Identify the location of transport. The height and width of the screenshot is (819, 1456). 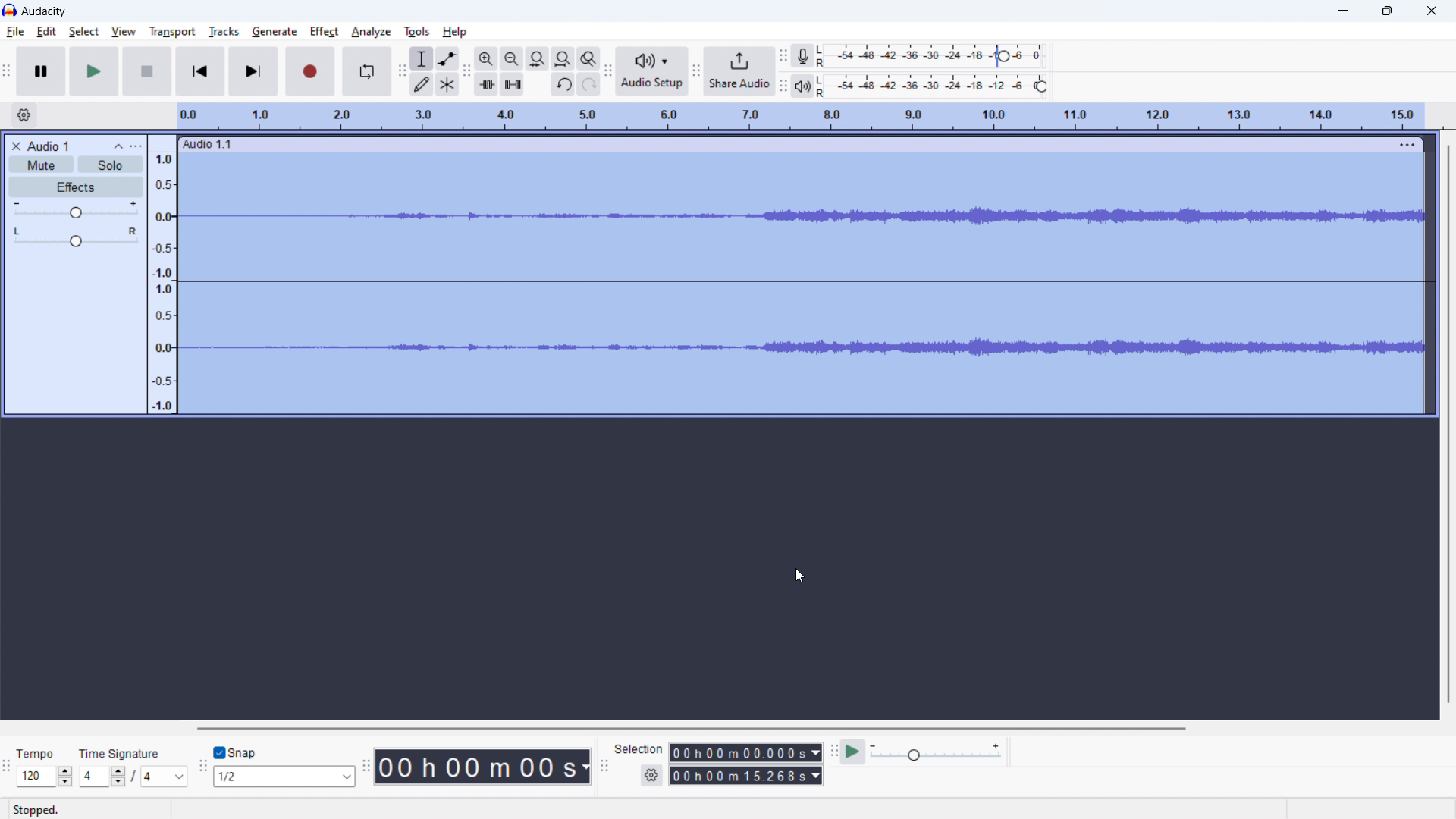
(172, 33).